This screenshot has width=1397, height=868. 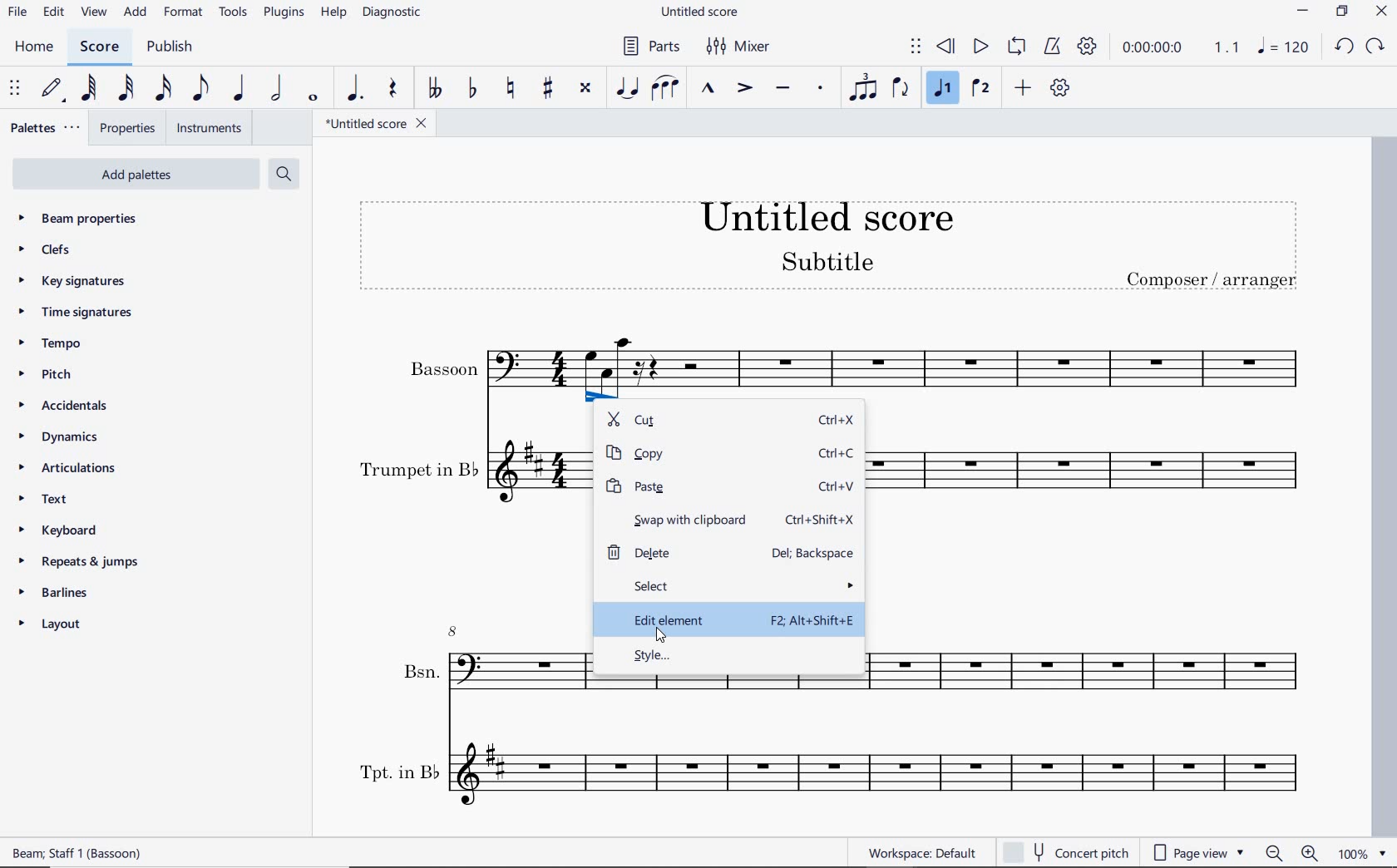 I want to click on plugins, so click(x=286, y=12).